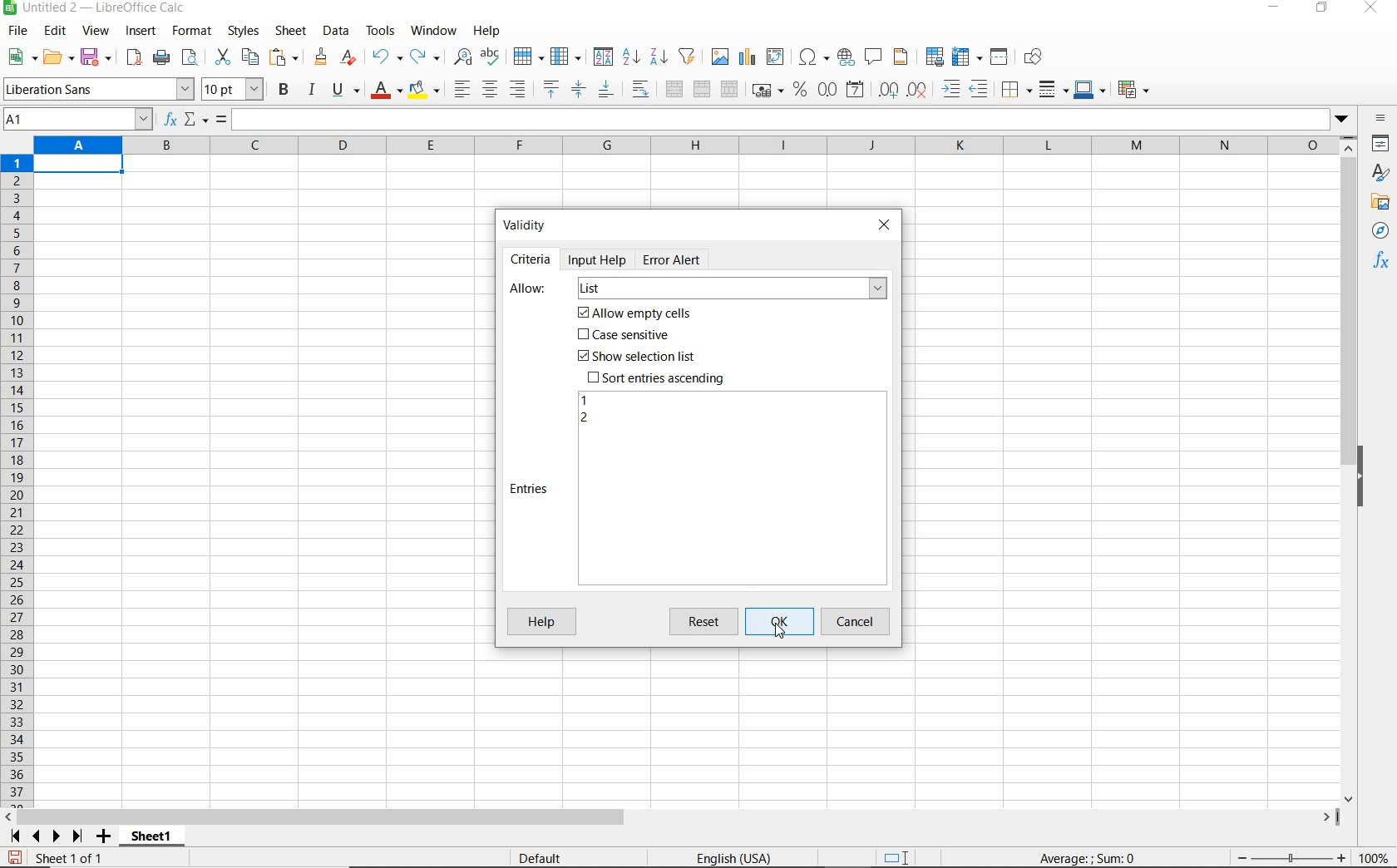 Image resolution: width=1397 pixels, height=868 pixels. I want to click on default, so click(543, 859).